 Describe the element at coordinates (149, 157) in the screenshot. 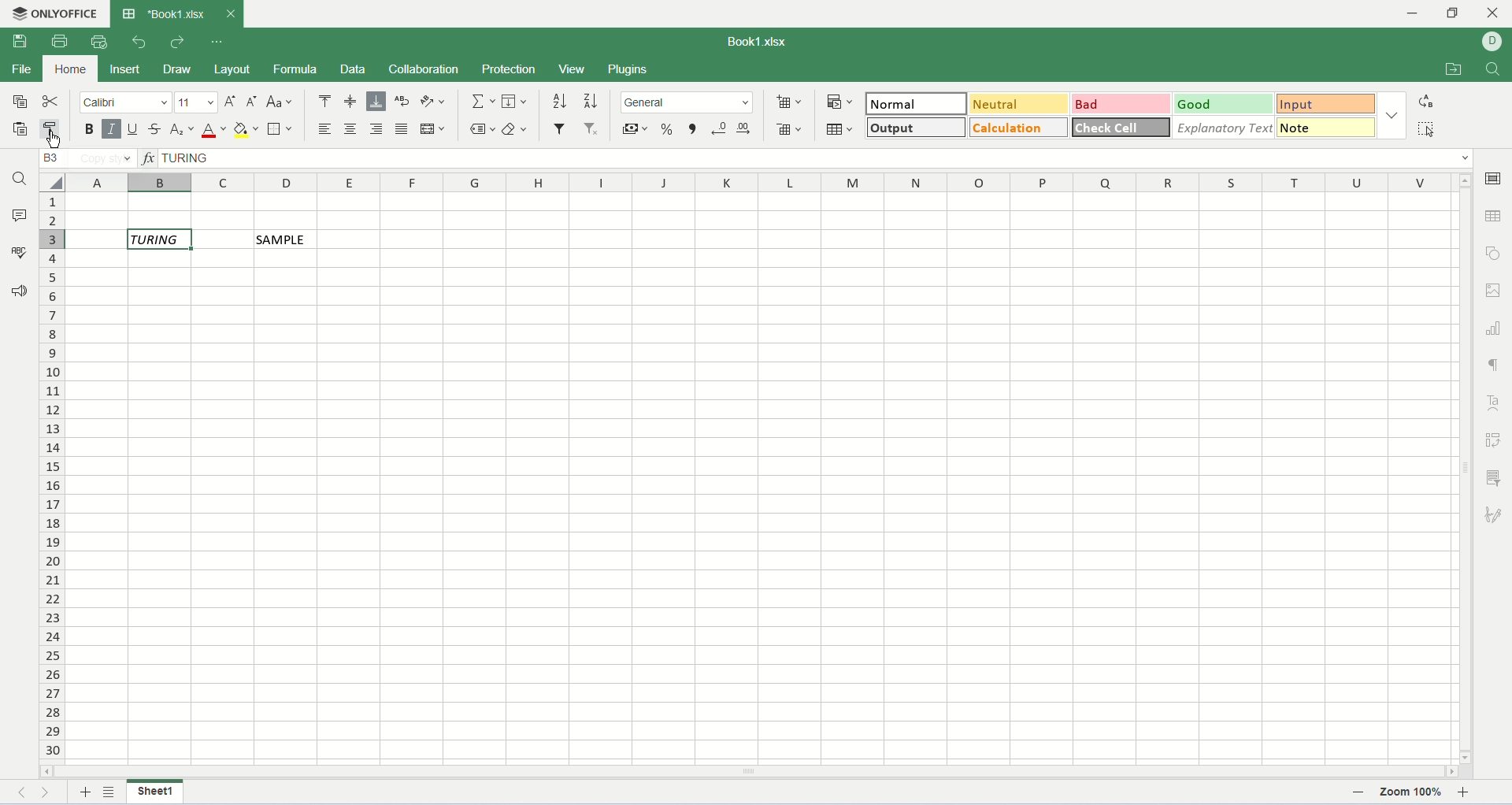

I see `insert function` at that location.